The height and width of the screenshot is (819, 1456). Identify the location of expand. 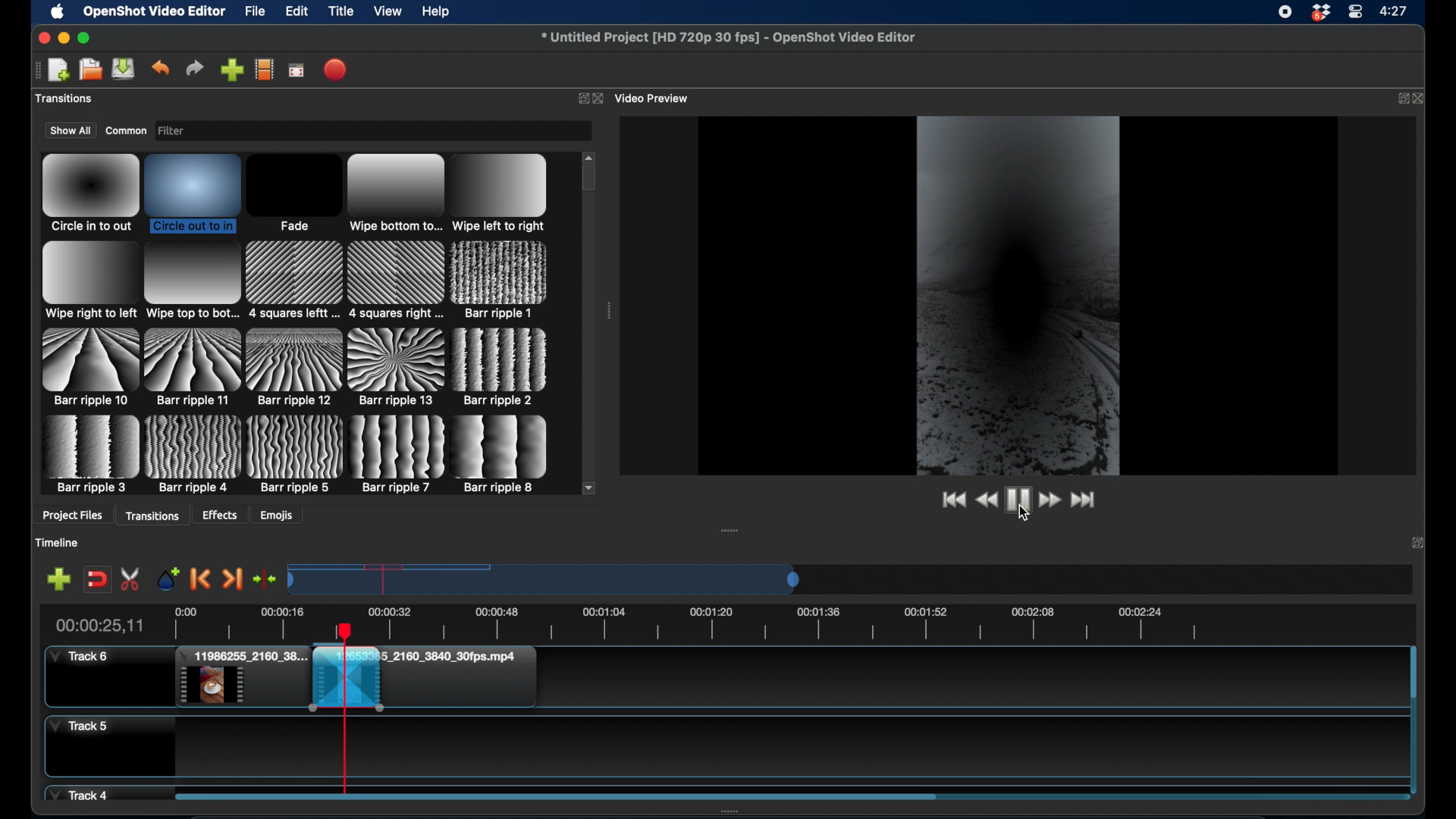
(1418, 544).